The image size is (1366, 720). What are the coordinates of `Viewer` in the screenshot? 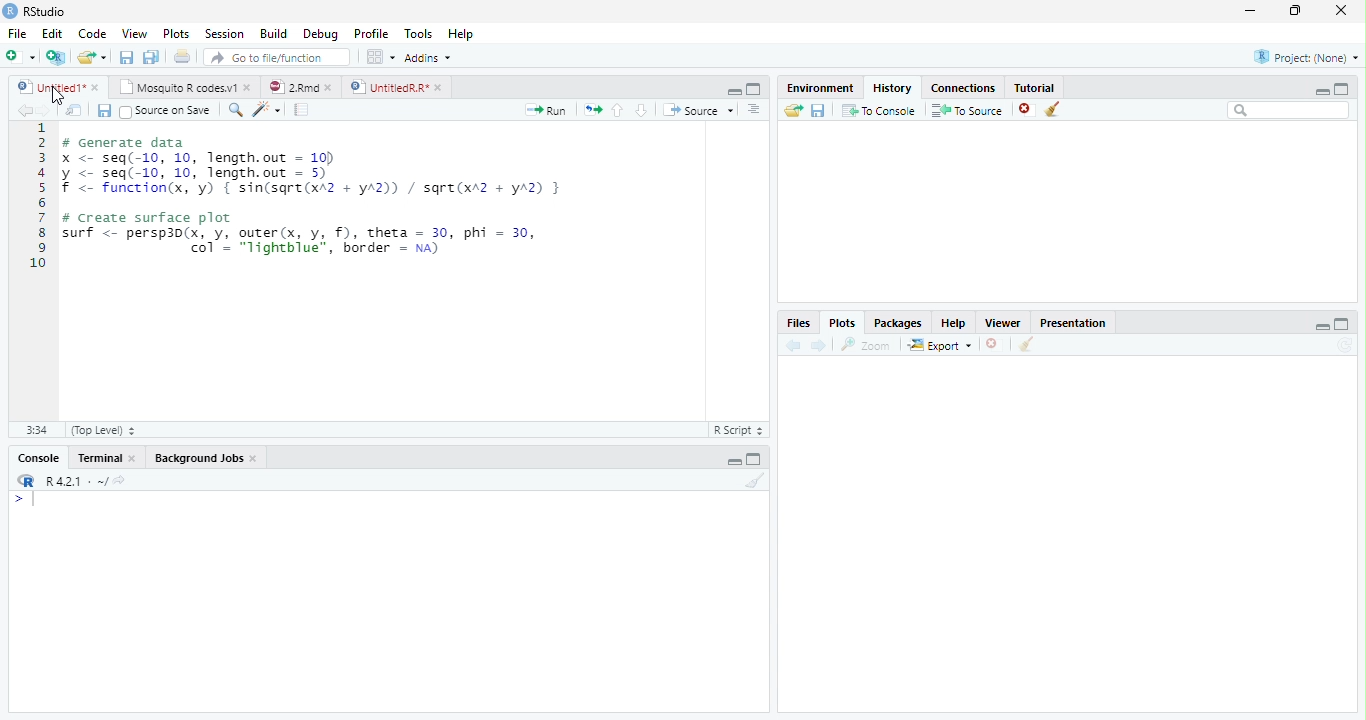 It's located at (1002, 322).